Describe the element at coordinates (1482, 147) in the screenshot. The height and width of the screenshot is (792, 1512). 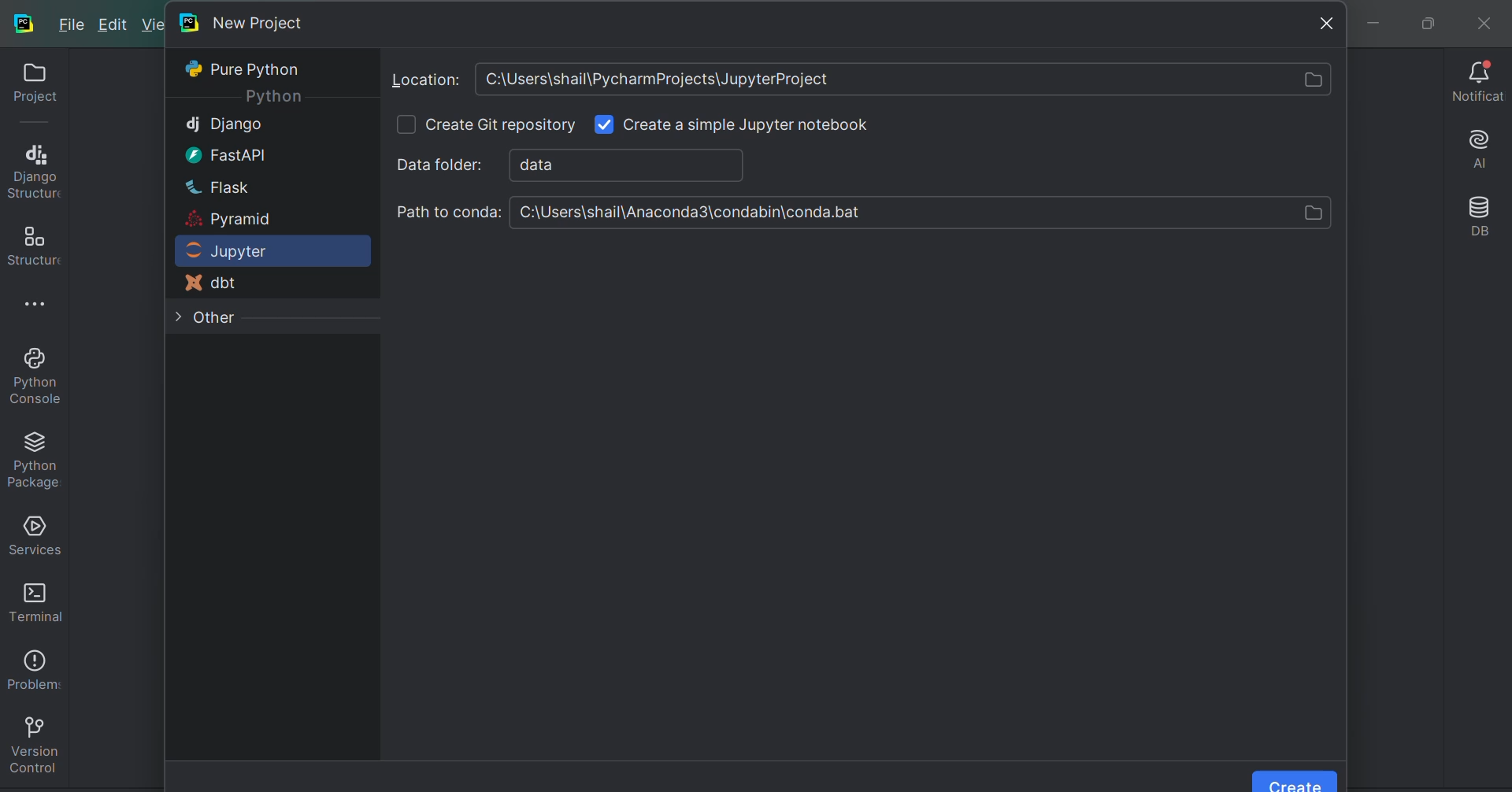
I see `AI assistant` at that location.